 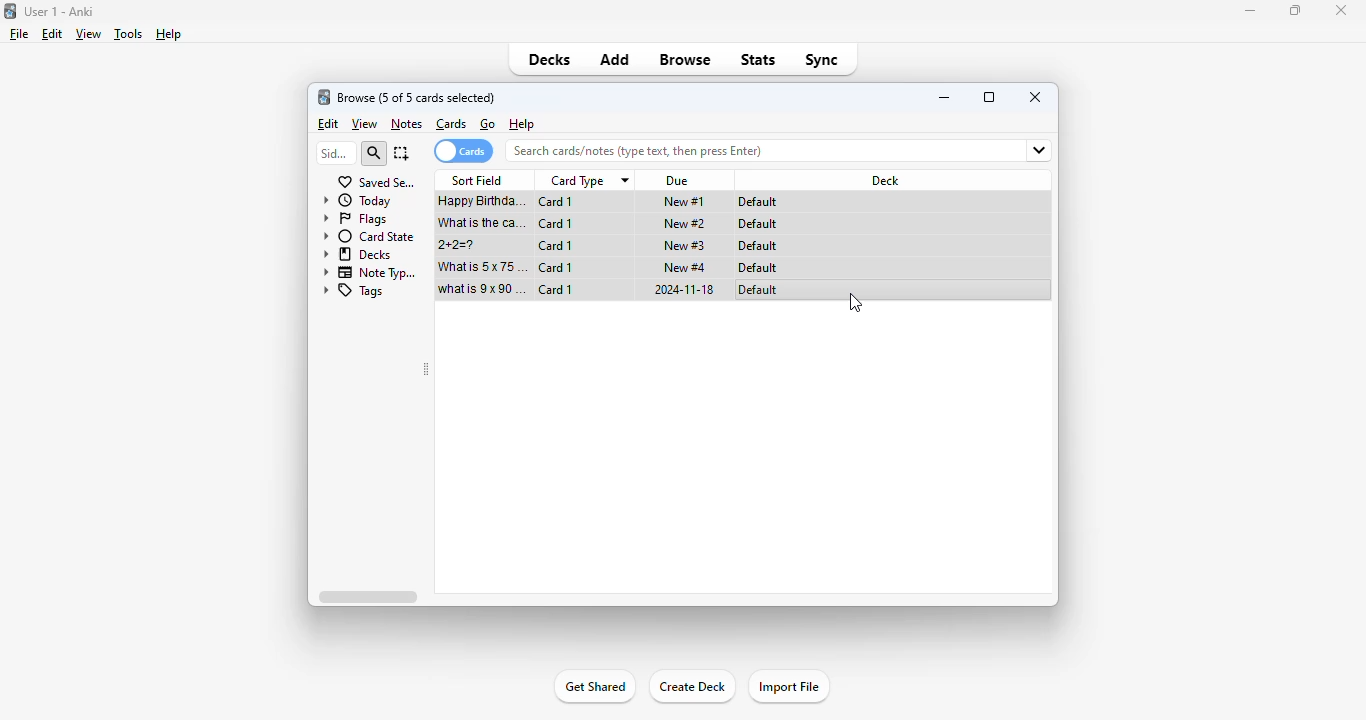 What do you see at coordinates (549, 59) in the screenshot?
I see `decks` at bounding box center [549, 59].